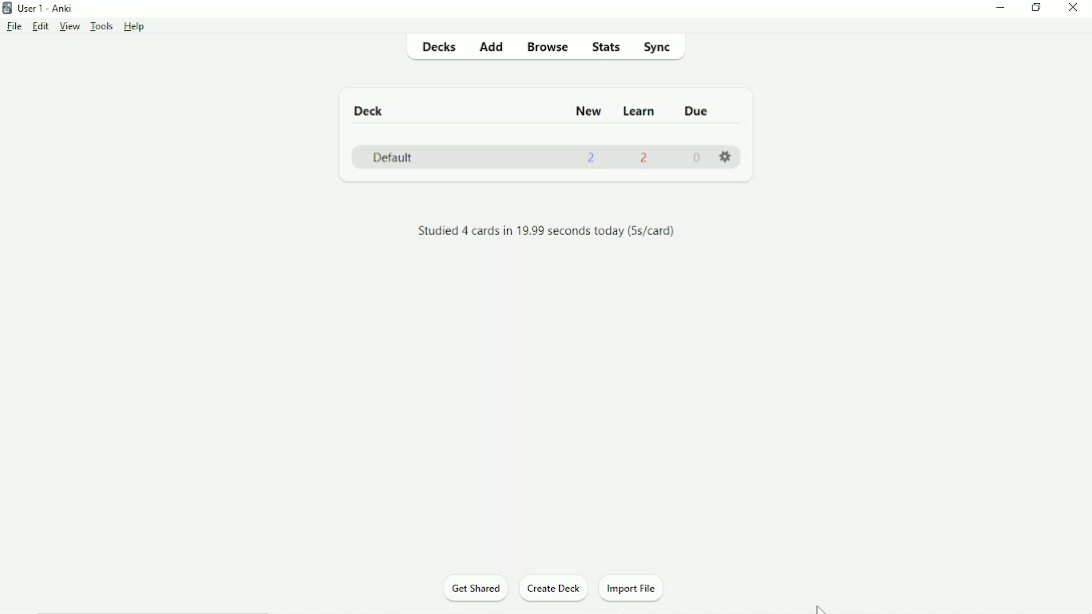 The image size is (1092, 614). Describe the element at coordinates (662, 47) in the screenshot. I see `Sync` at that location.